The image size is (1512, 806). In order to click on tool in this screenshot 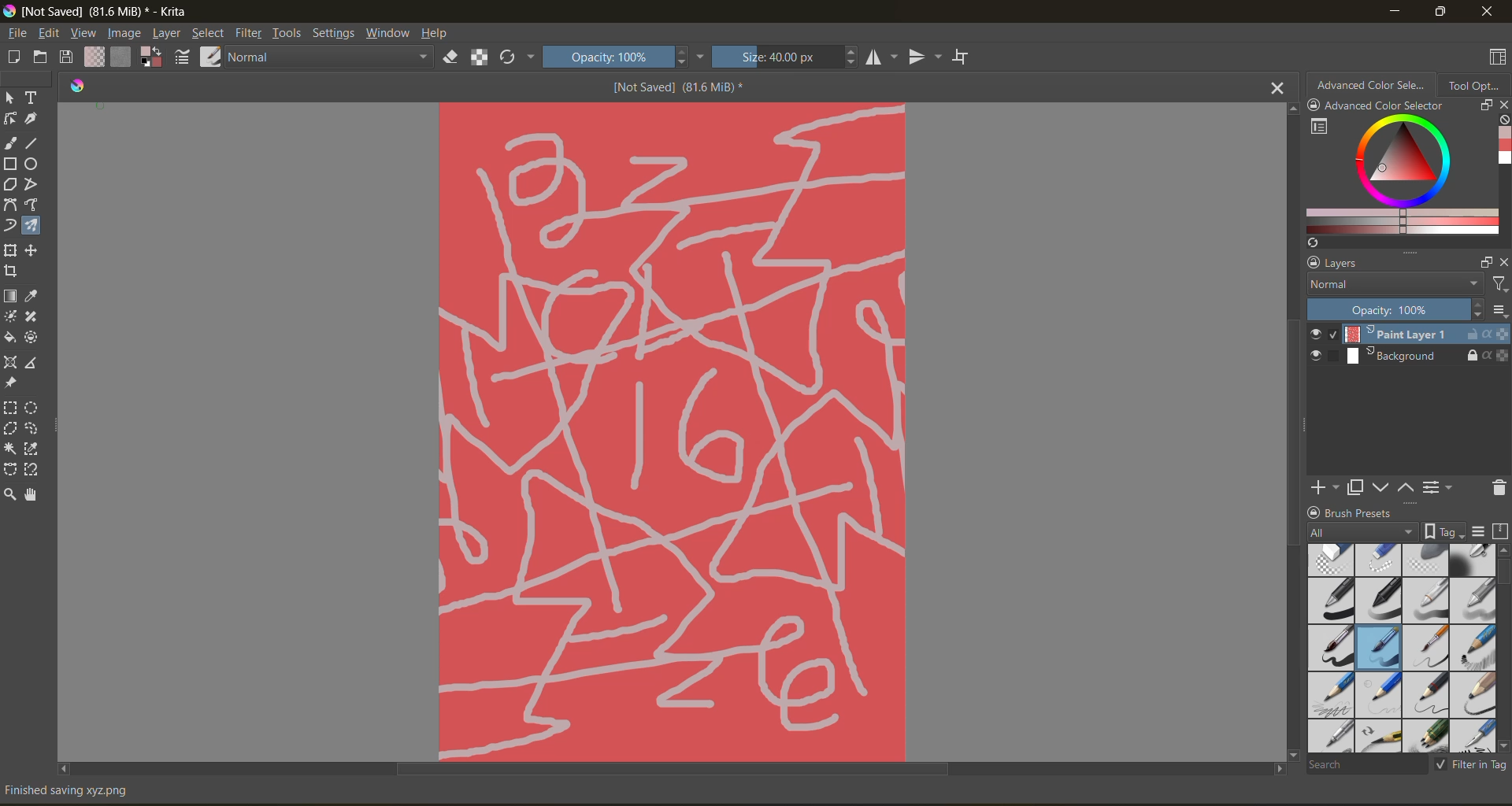, I will do `click(31, 409)`.